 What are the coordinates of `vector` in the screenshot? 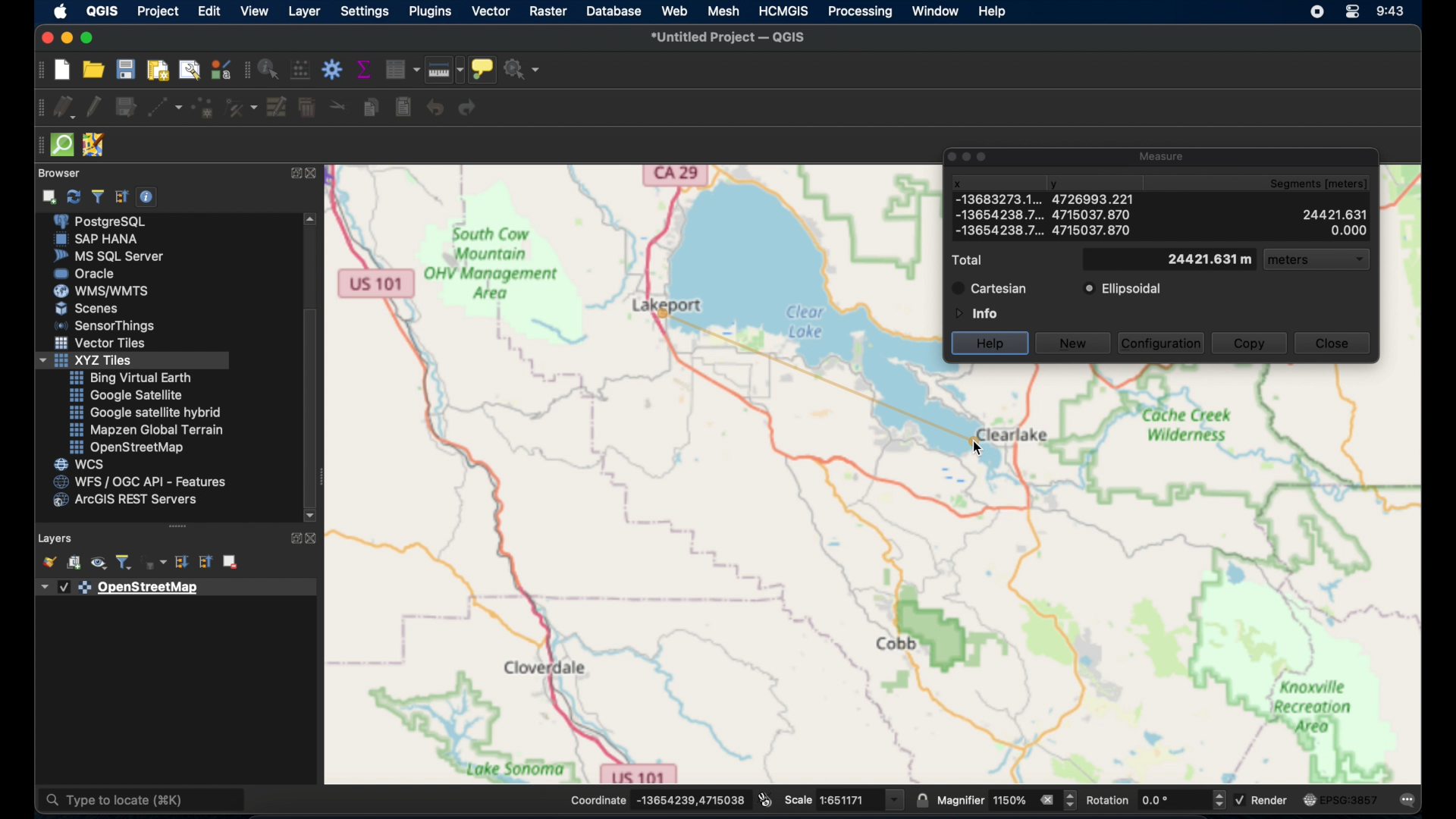 It's located at (490, 11).